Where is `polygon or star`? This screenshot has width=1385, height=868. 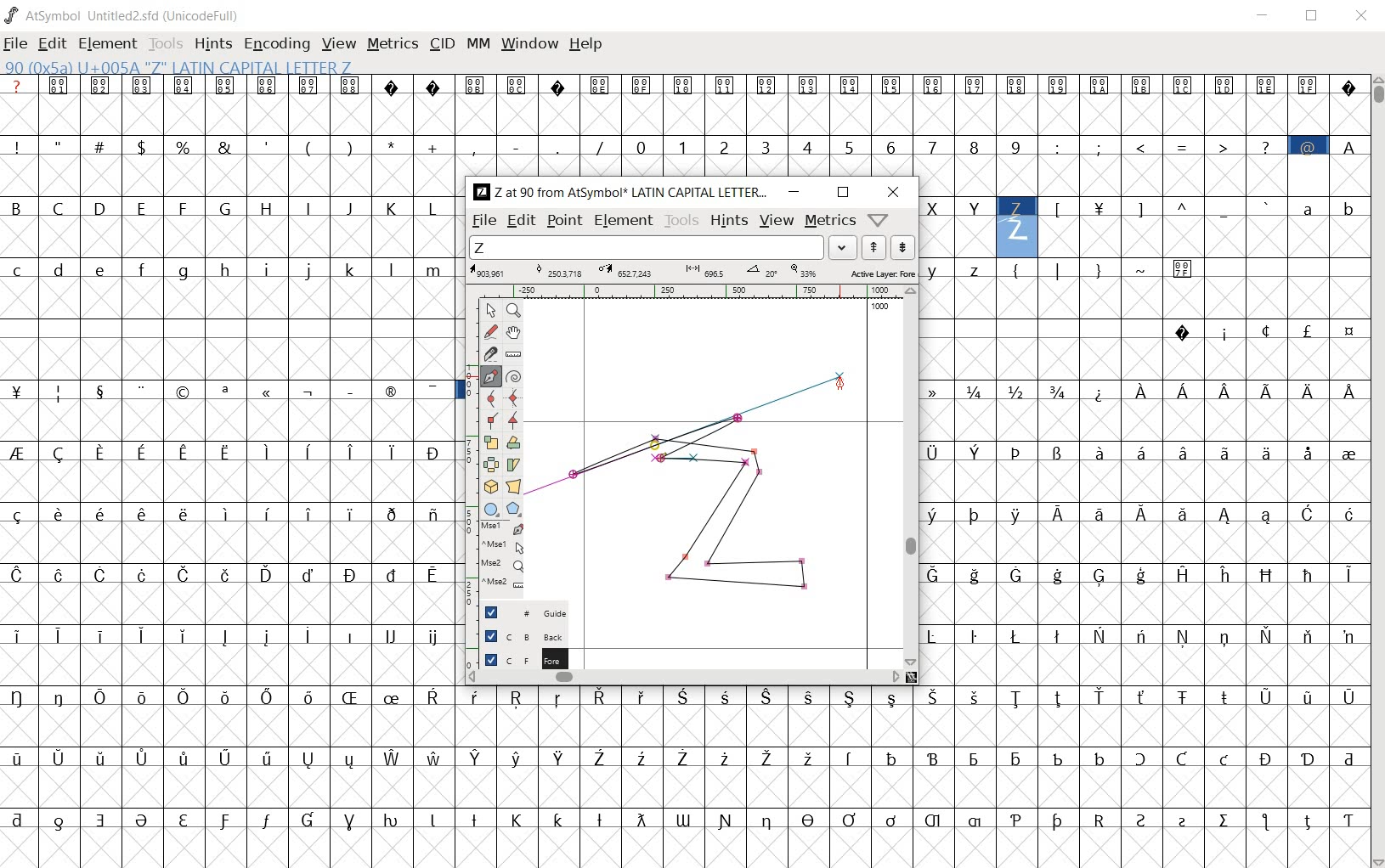 polygon or star is located at coordinates (514, 510).